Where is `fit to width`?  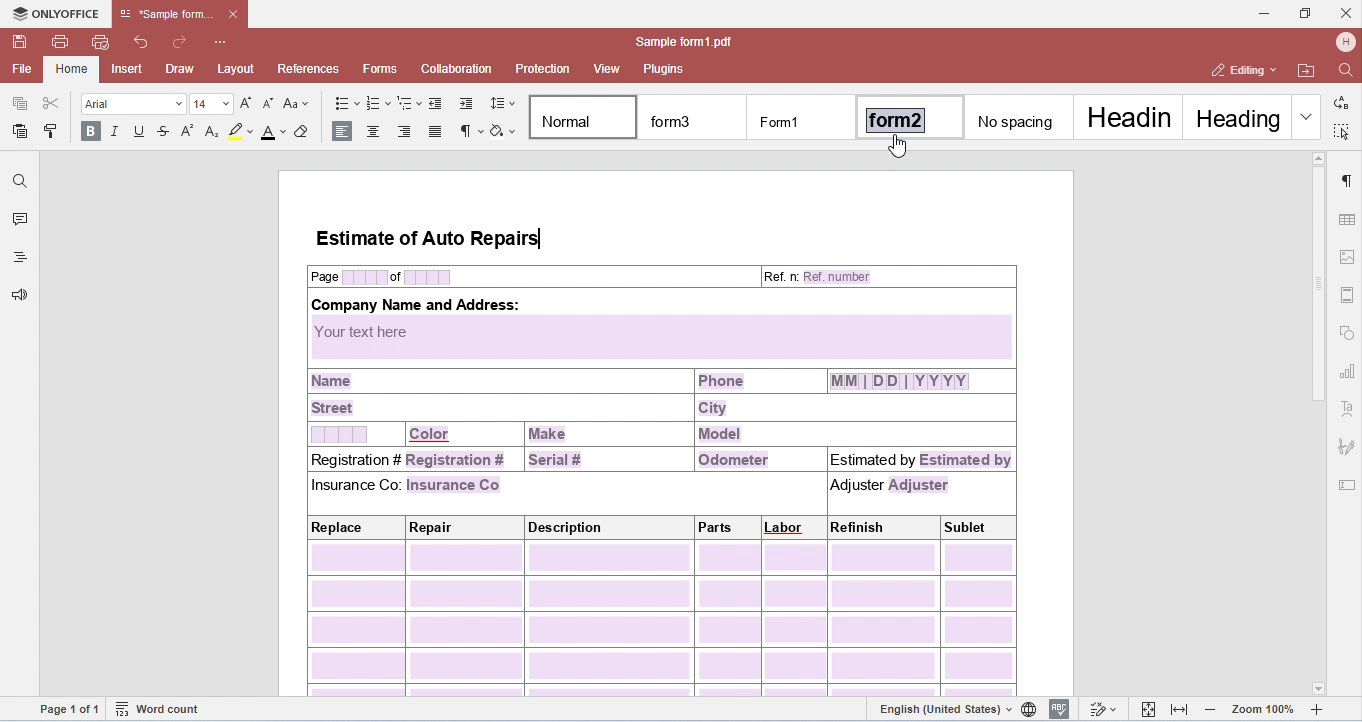
fit to width is located at coordinates (1181, 710).